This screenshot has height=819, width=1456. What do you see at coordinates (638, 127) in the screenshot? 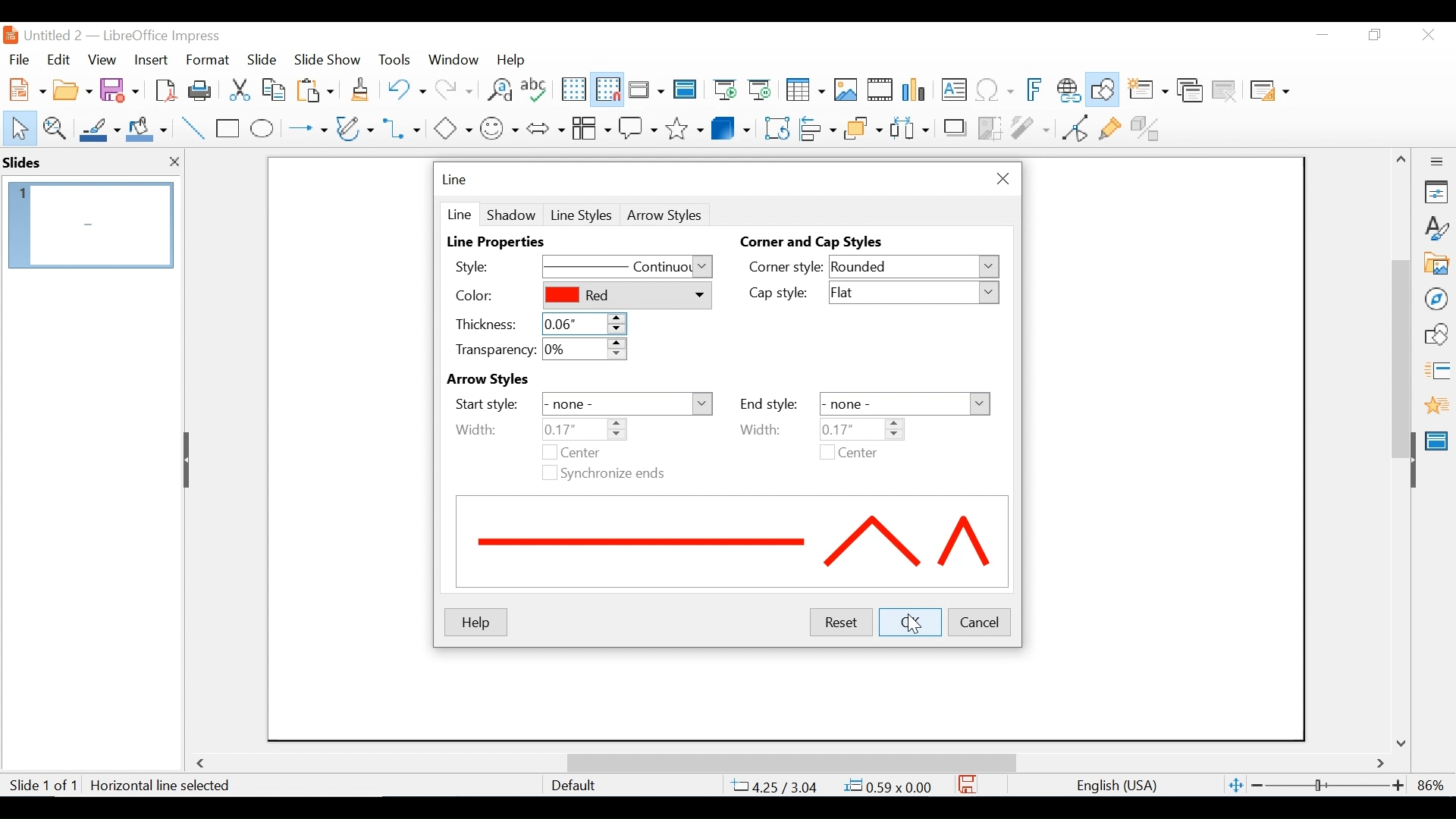
I see `Callout` at bounding box center [638, 127].